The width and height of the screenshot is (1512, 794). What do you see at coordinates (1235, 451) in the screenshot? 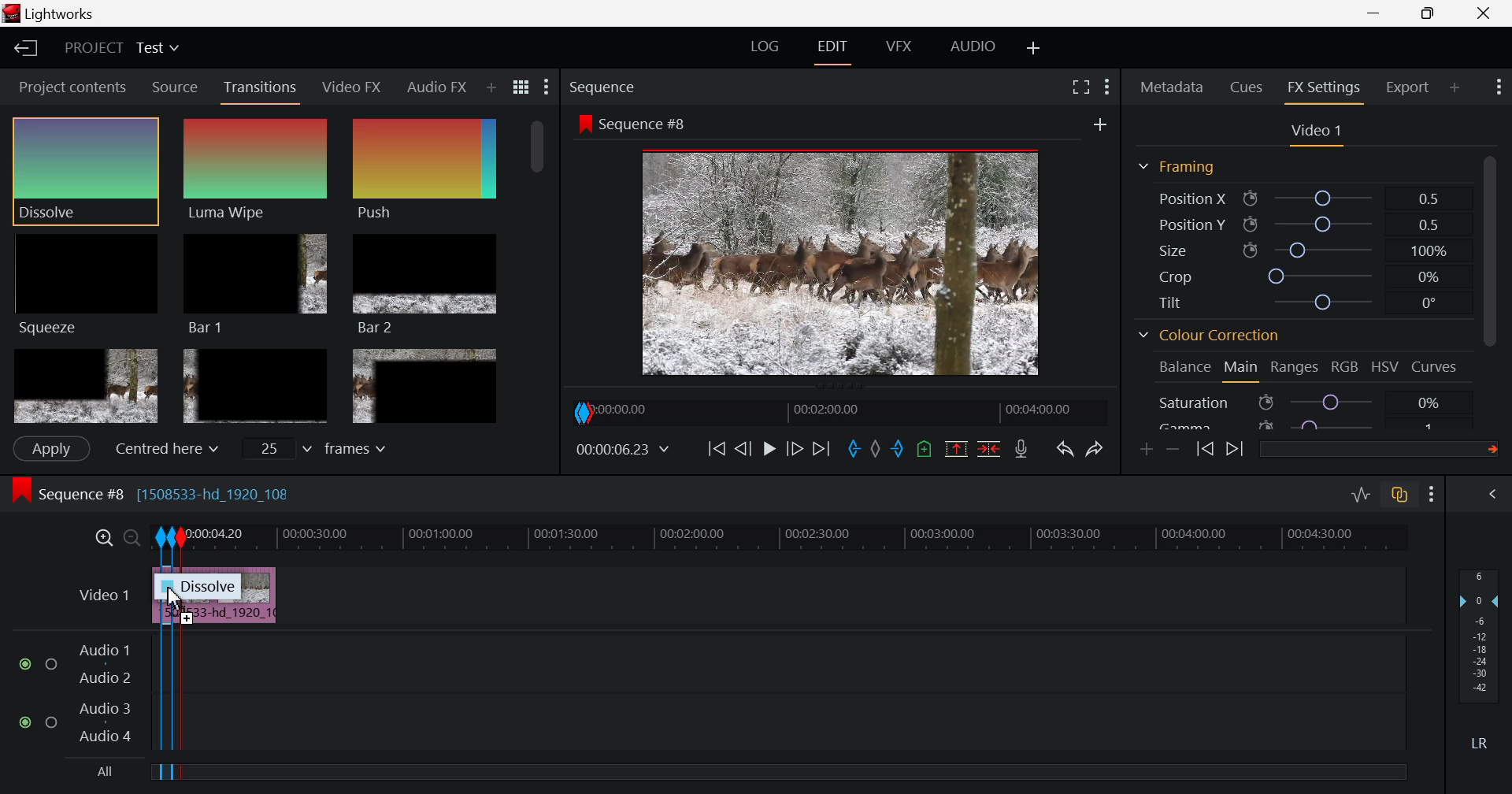
I see `Next keyframe` at bounding box center [1235, 451].